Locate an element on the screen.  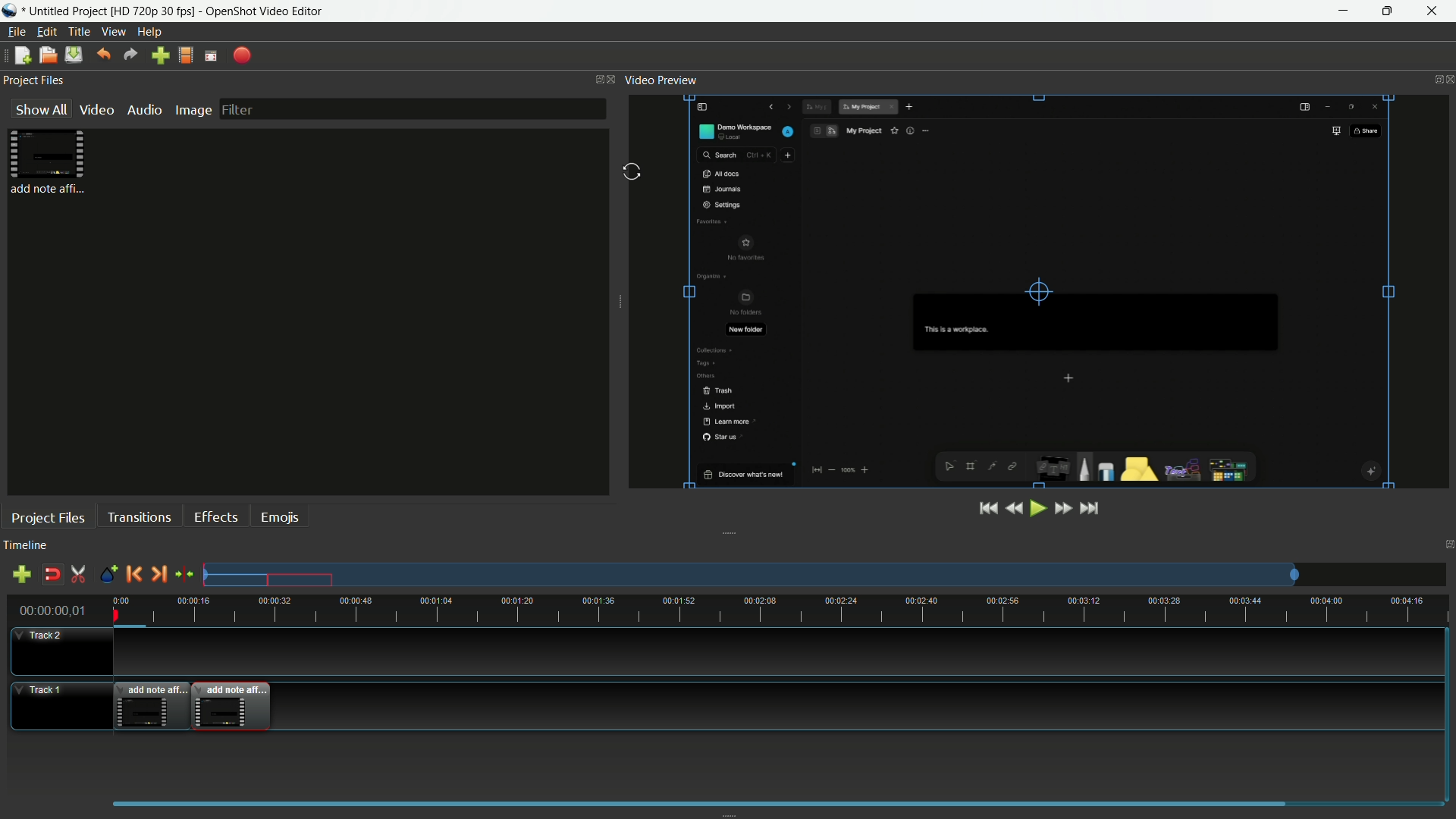
fast forward is located at coordinates (1062, 508).